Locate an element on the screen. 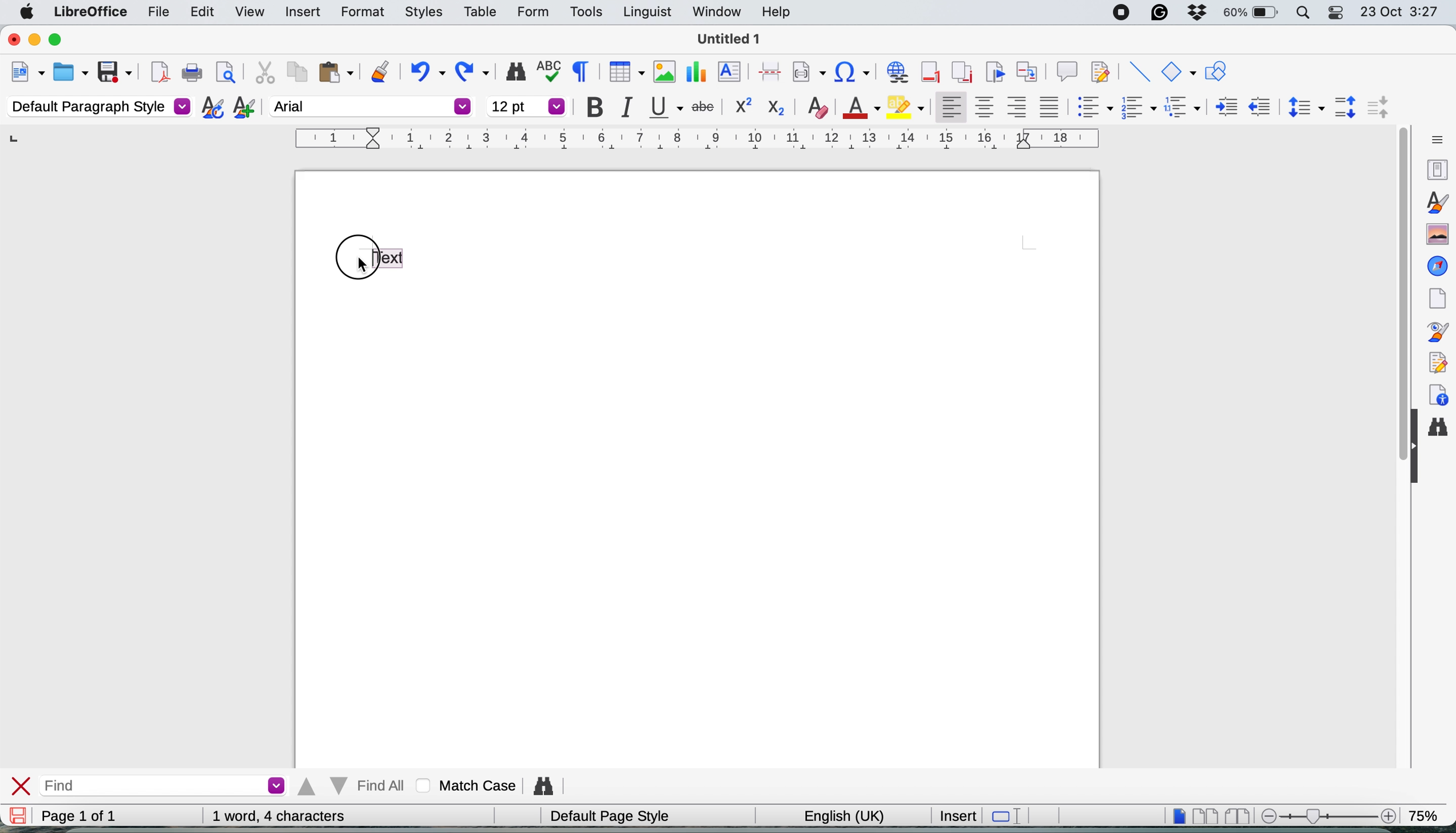 This screenshot has width=1456, height=833. insert chart is located at coordinates (695, 70).